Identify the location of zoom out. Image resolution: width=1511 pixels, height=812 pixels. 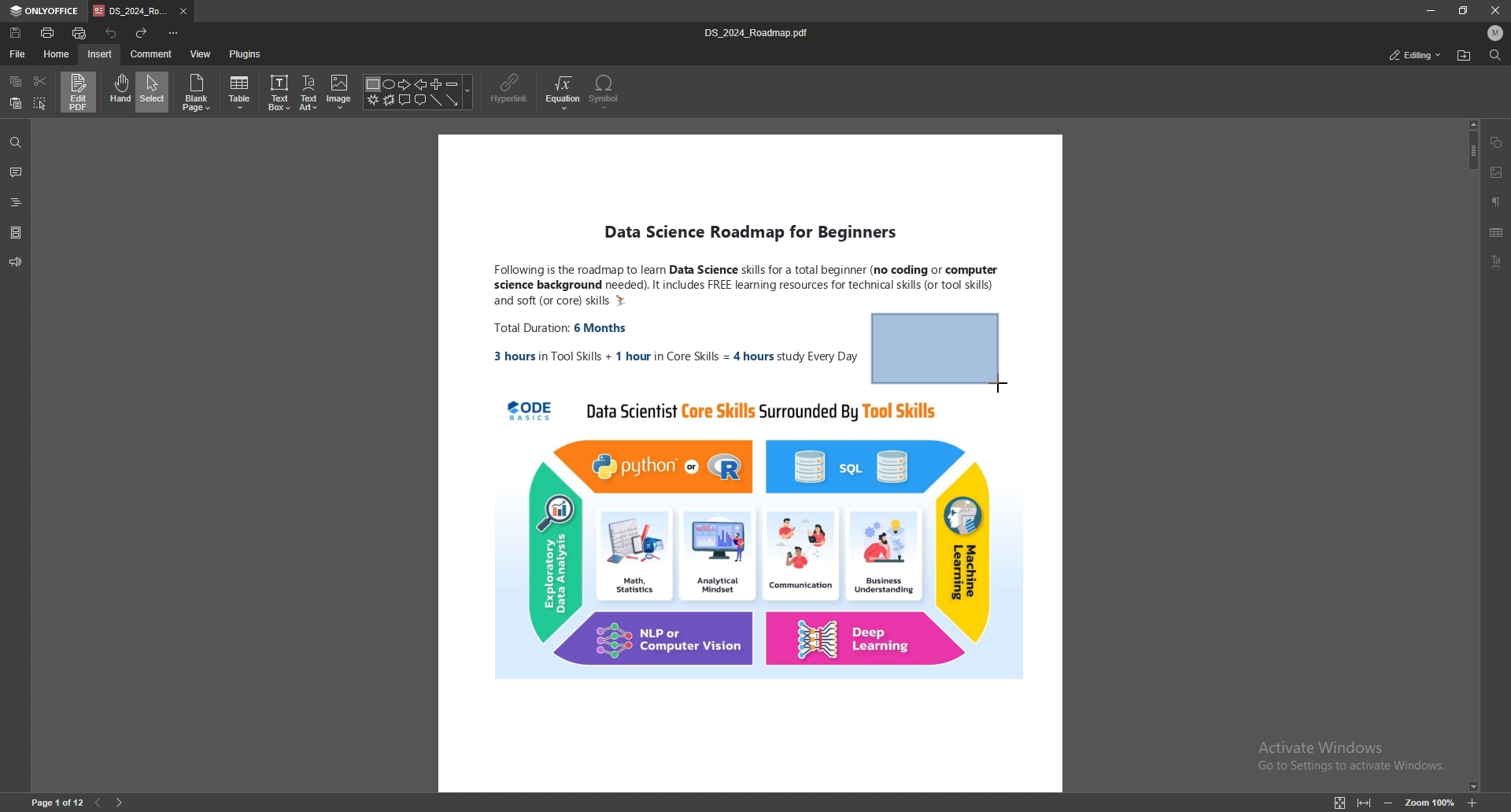
(1393, 802).